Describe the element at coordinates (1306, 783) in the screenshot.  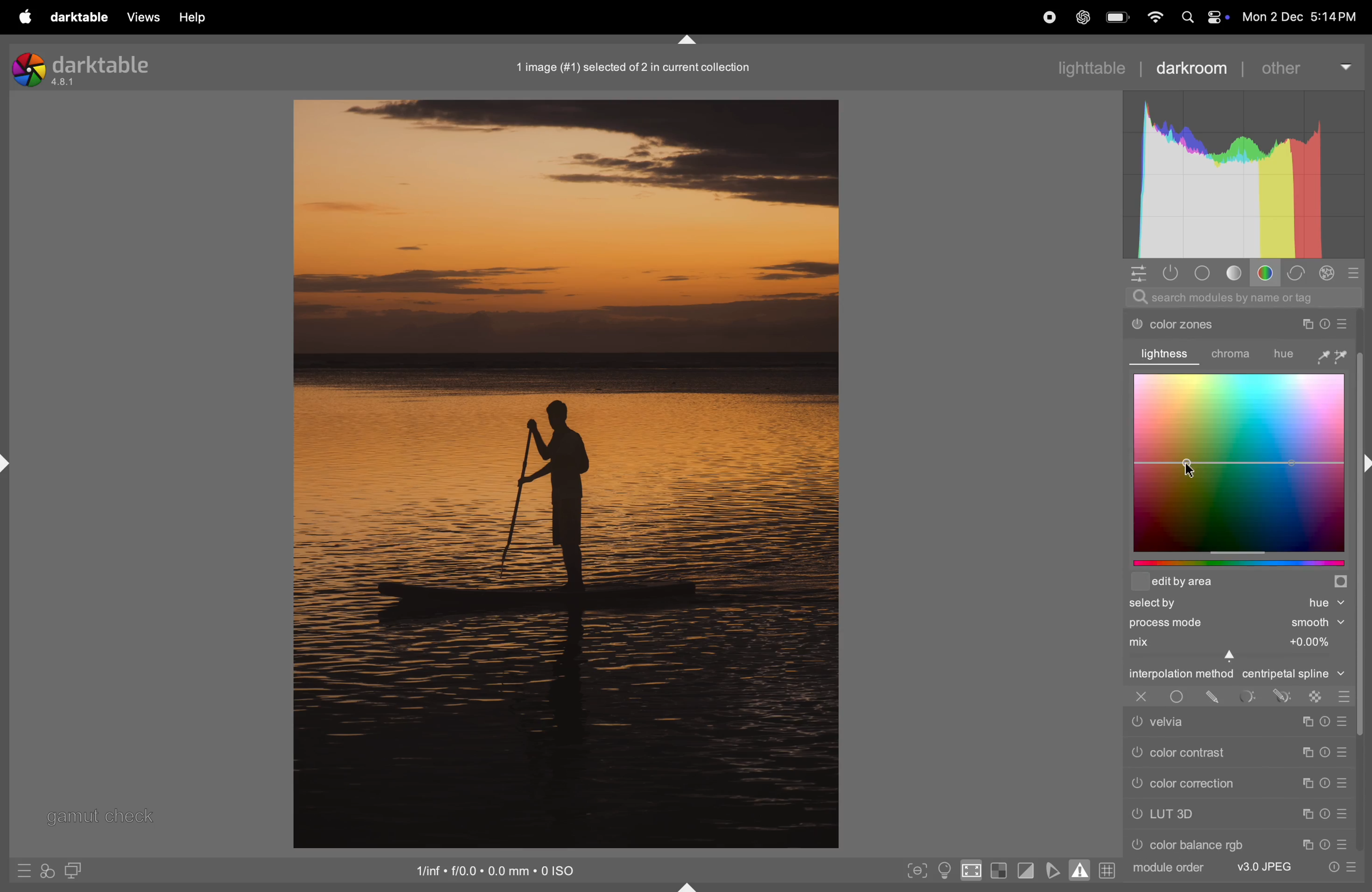
I see `copy` at that location.